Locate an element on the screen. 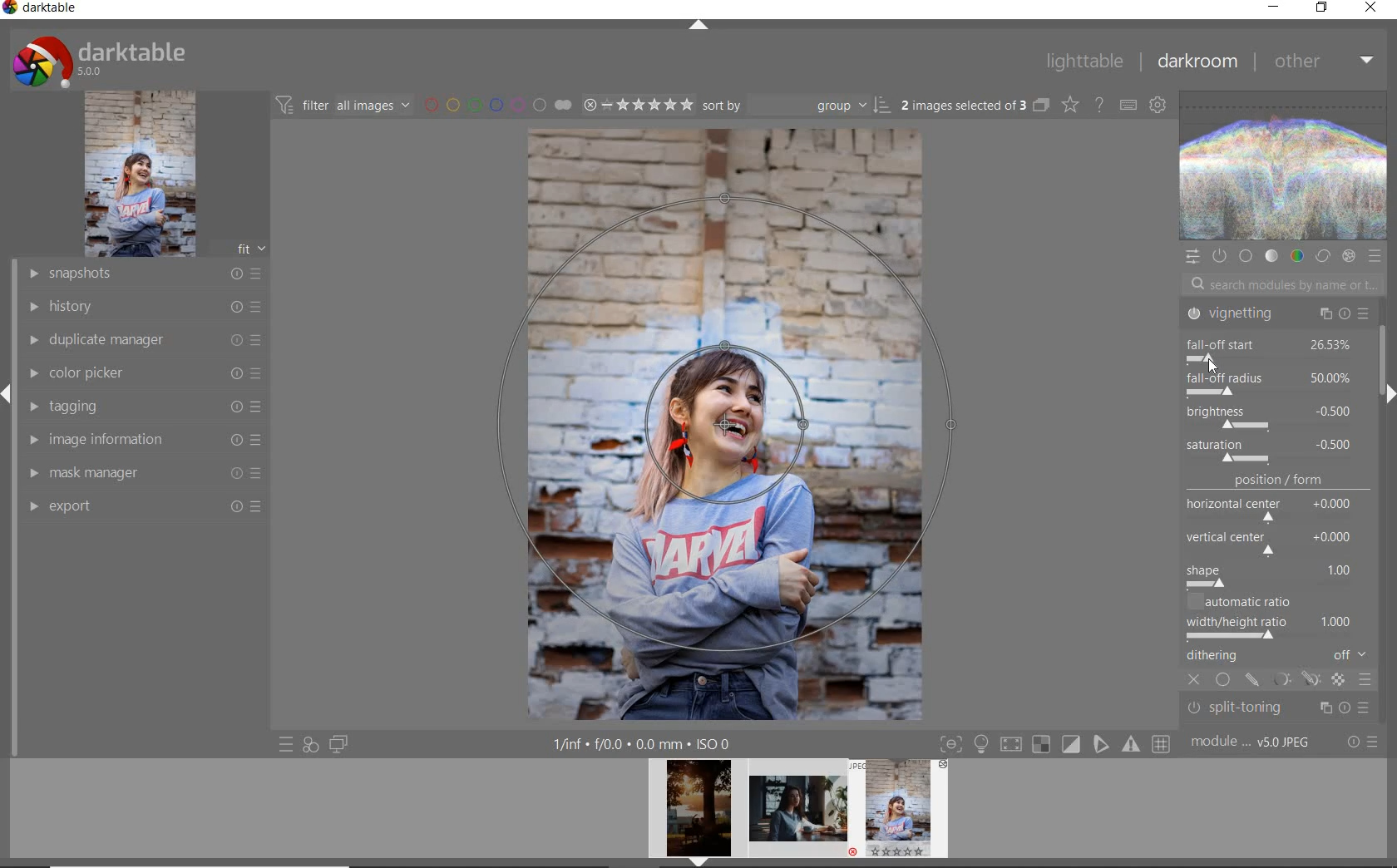 This screenshot has width=1397, height=868. frt is located at coordinates (250, 246).